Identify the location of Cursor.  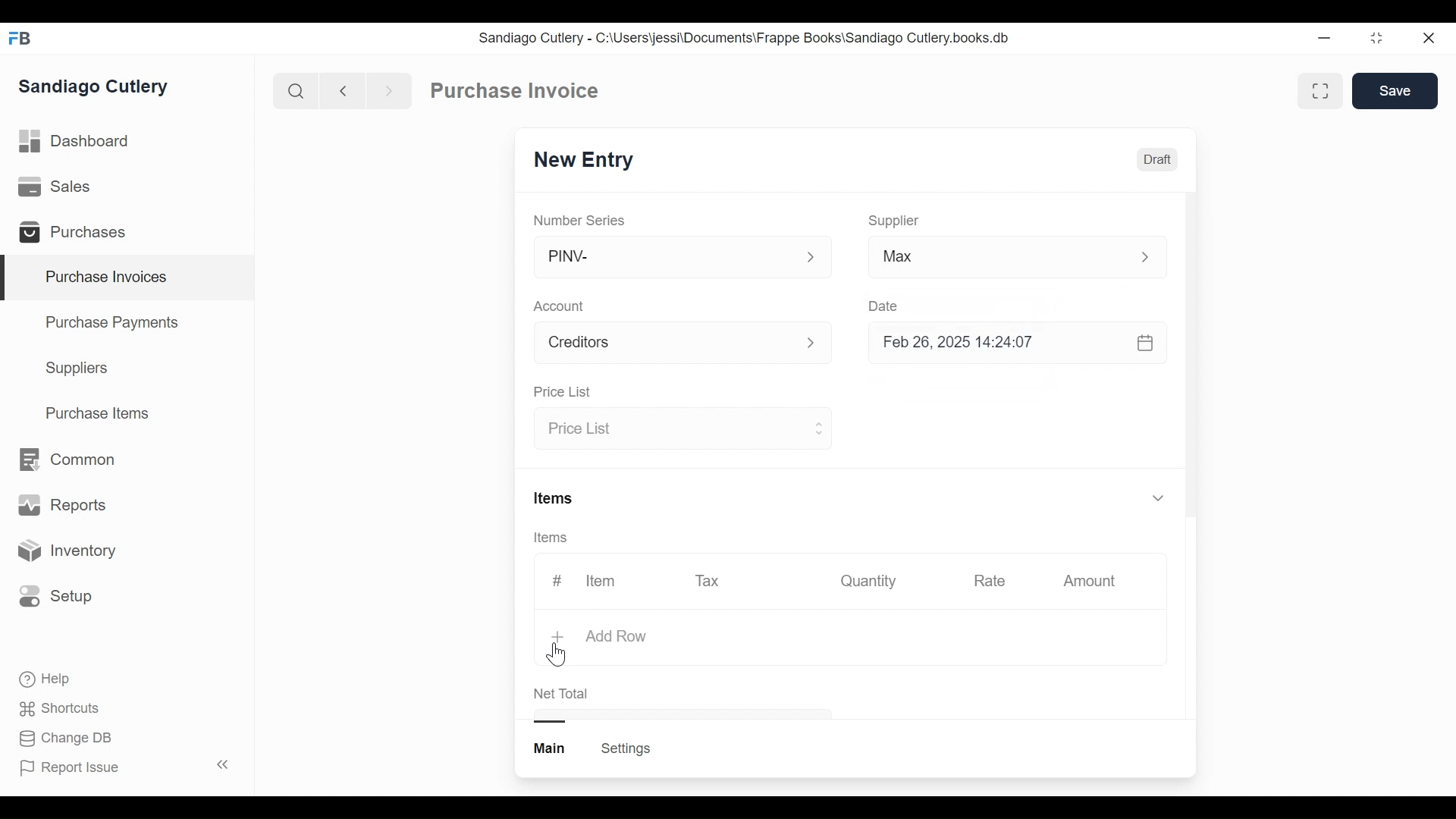
(557, 655).